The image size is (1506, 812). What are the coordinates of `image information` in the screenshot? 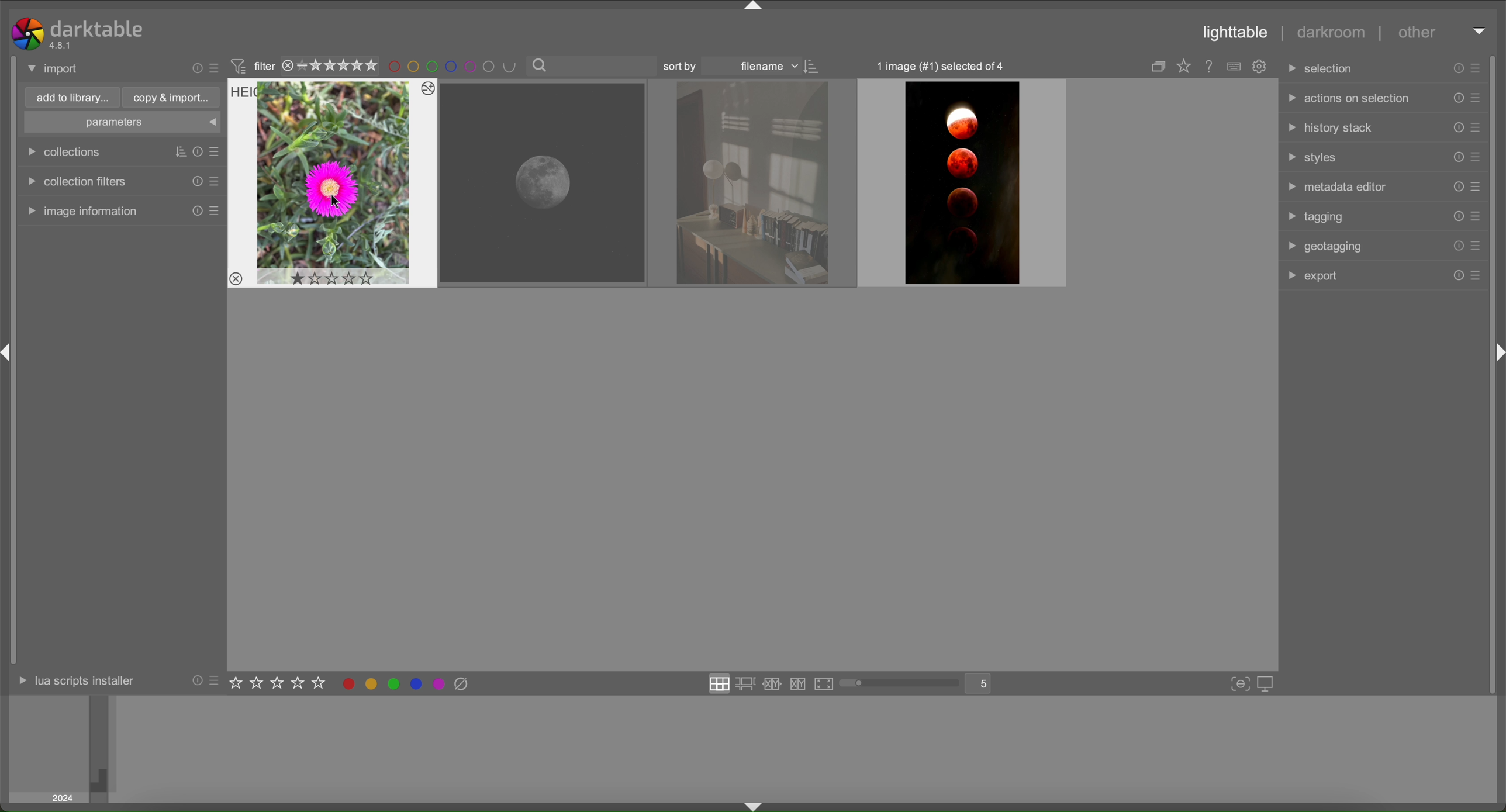 It's located at (81, 212).